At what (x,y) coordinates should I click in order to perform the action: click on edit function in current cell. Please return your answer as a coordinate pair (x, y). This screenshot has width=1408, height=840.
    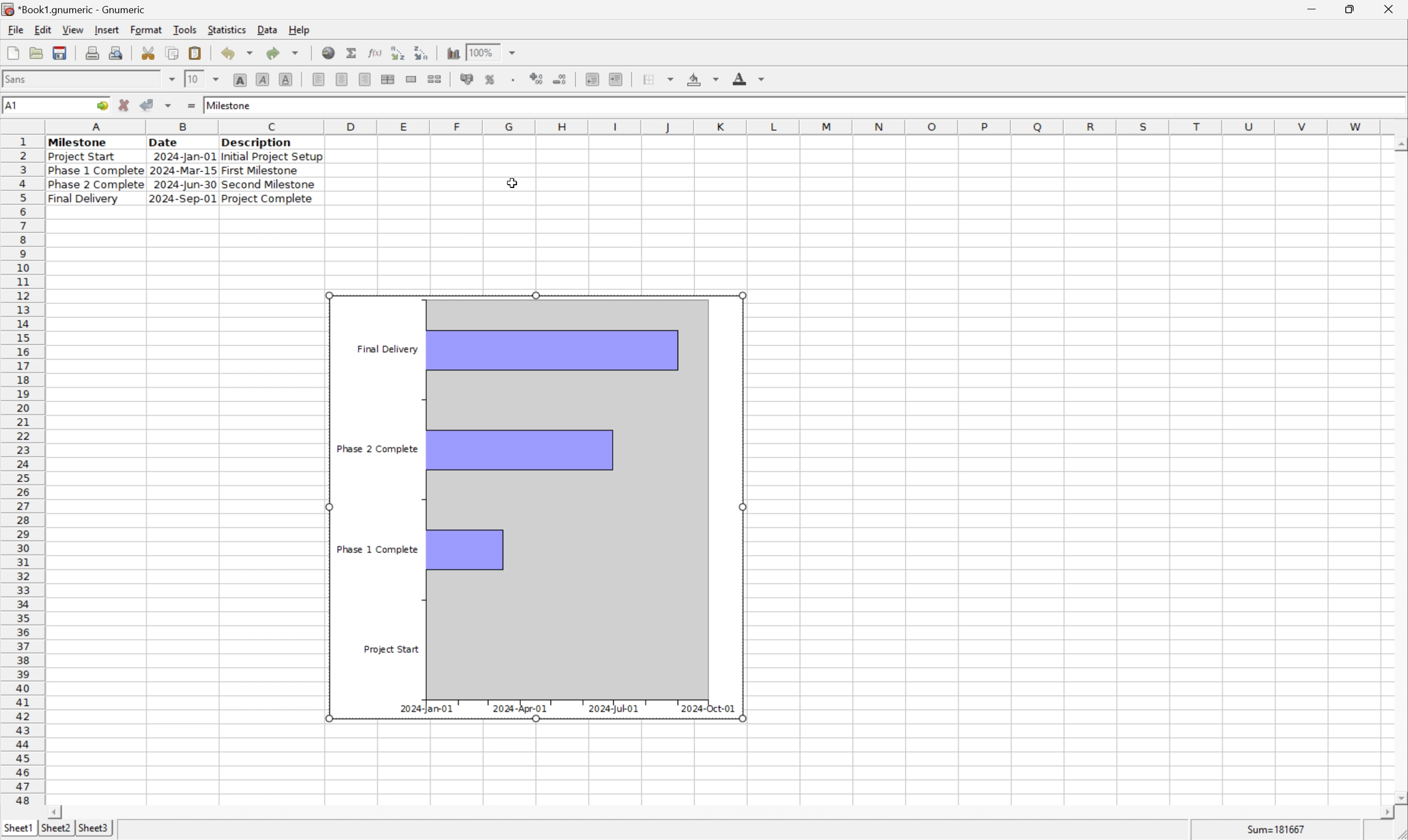
    Looking at the image, I should click on (374, 52).